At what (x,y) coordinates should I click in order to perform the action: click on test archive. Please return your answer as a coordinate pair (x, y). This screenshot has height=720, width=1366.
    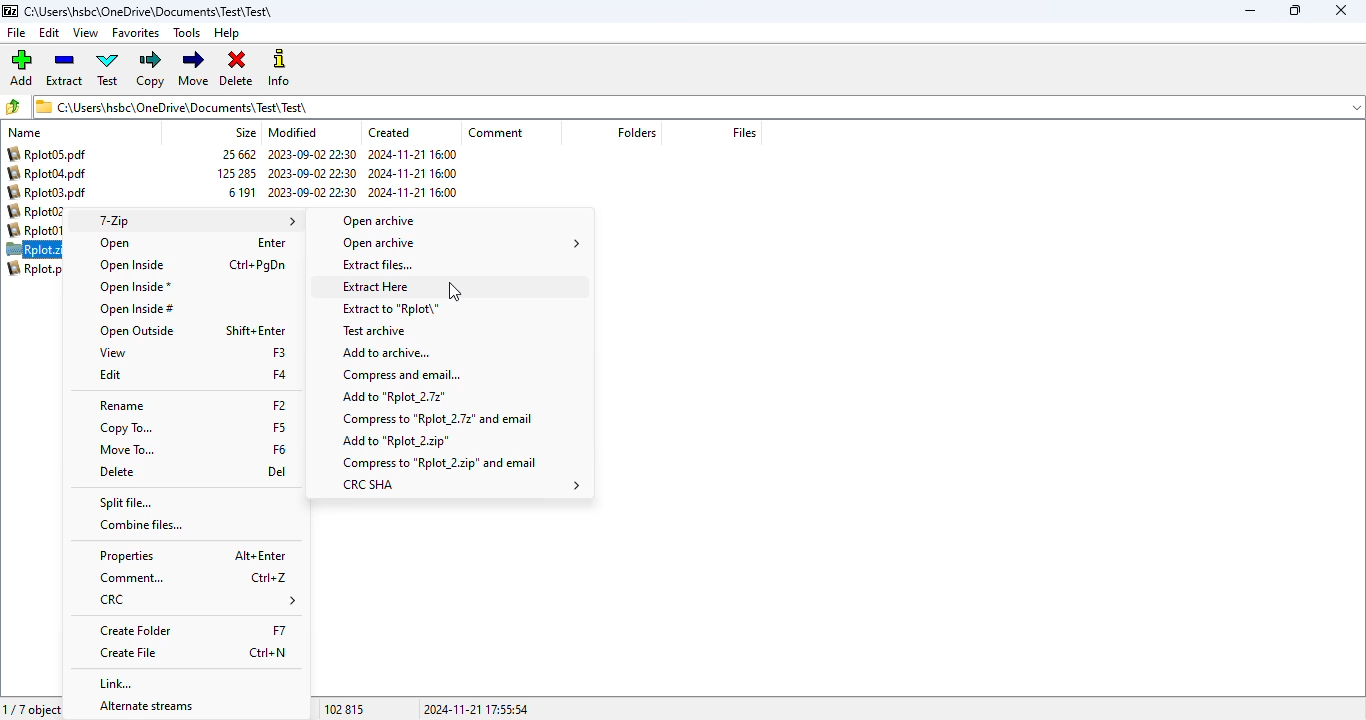
    Looking at the image, I should click on (373, 331).